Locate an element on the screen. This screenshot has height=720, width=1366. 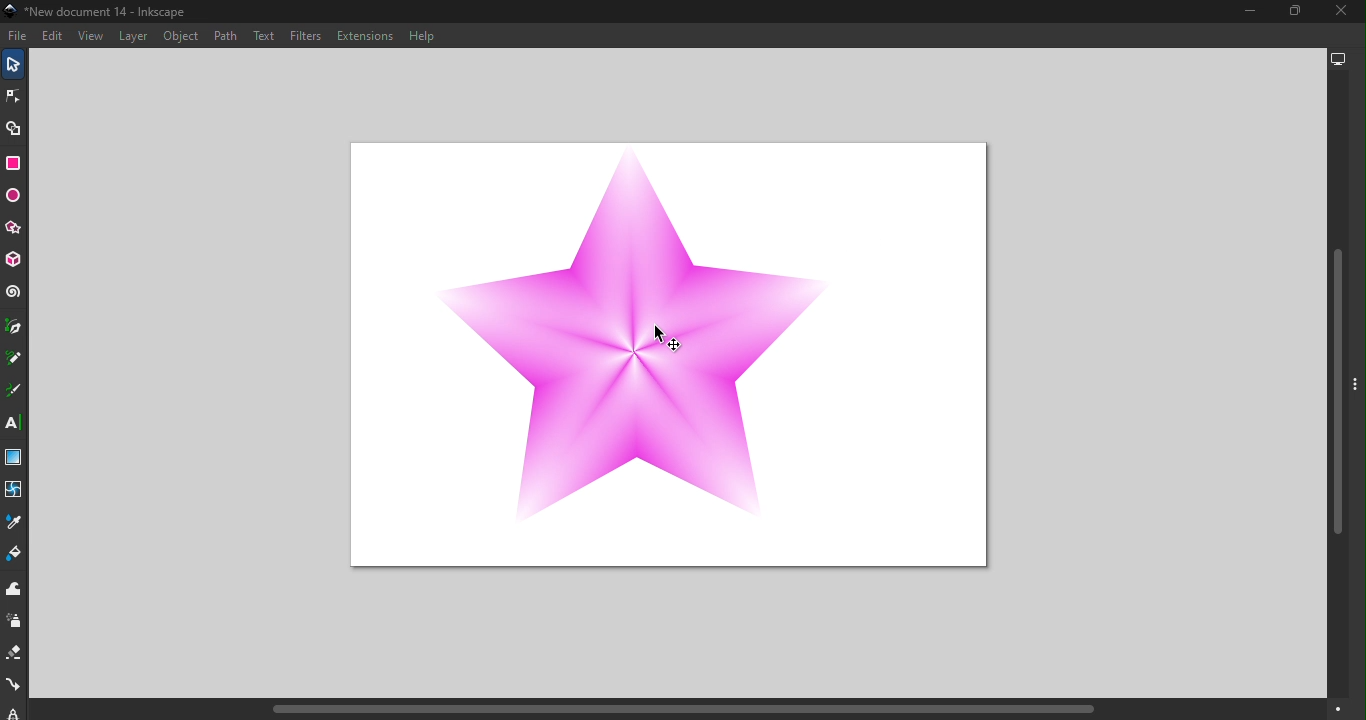
Object is located at coordinates (179, 36).